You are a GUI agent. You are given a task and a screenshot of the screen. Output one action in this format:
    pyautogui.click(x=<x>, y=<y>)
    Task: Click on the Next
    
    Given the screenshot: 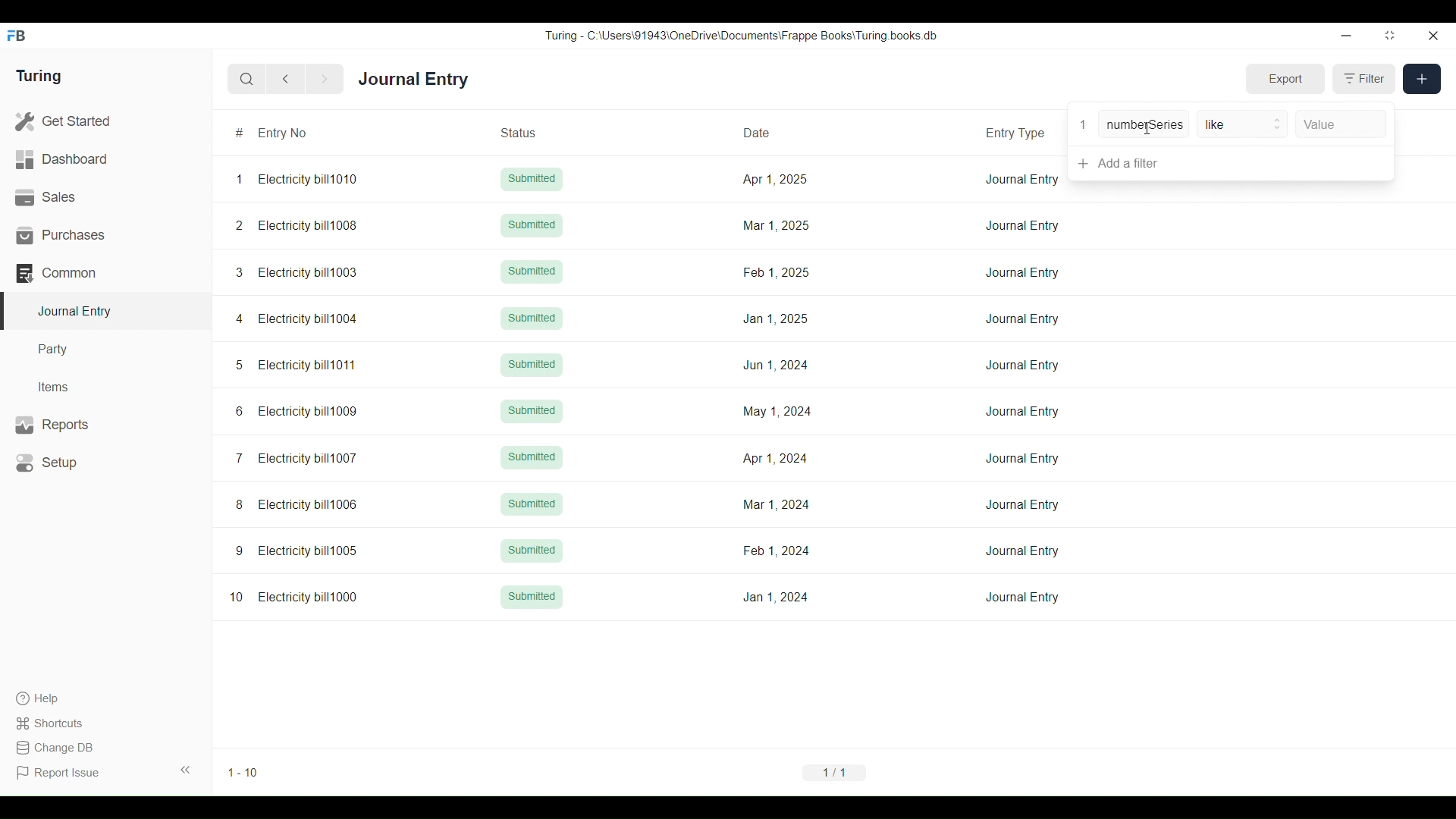 What is the action you would take?
    pyautogui.click(x=325, y=80)
    